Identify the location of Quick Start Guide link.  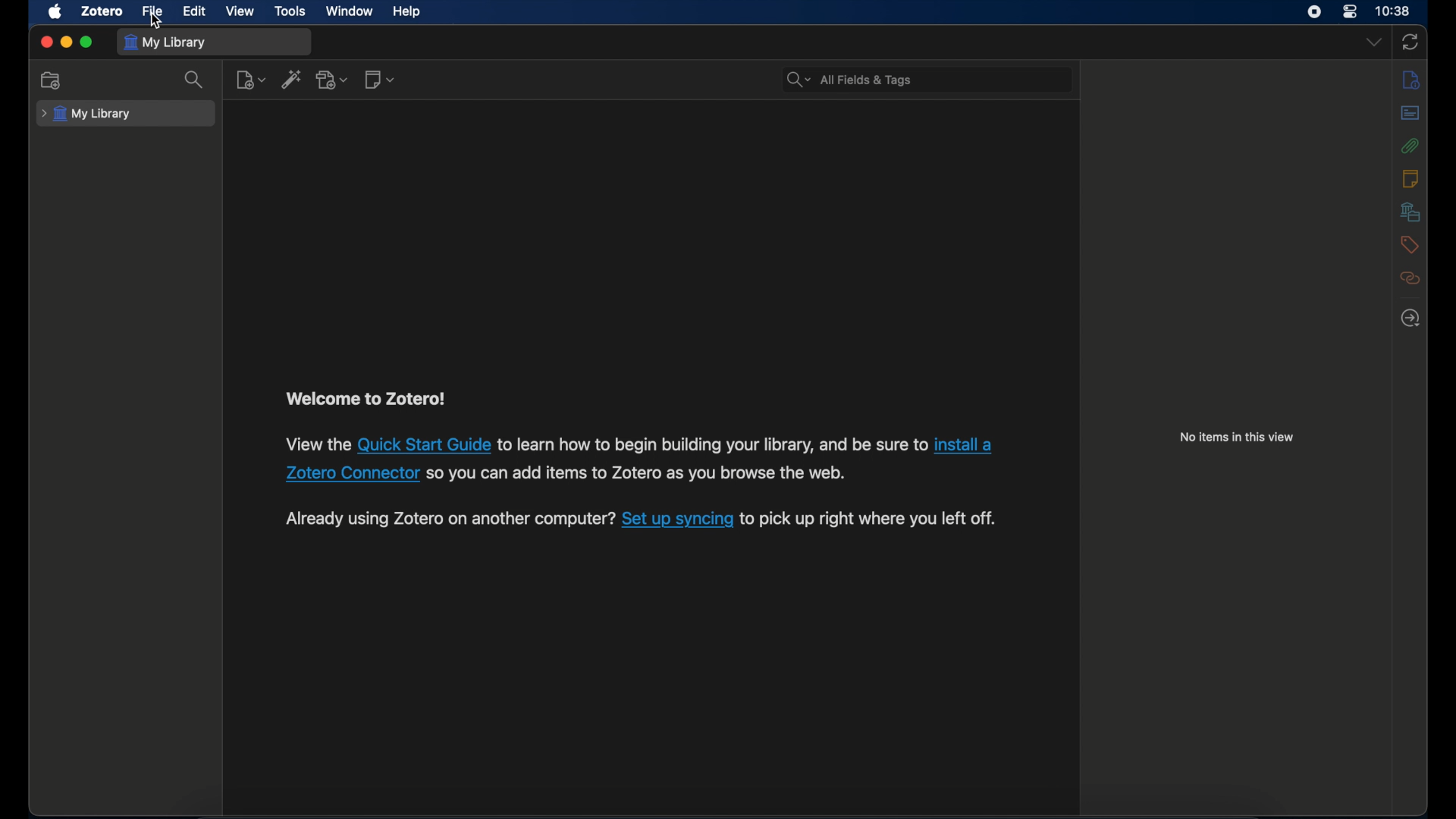
(425, 444).